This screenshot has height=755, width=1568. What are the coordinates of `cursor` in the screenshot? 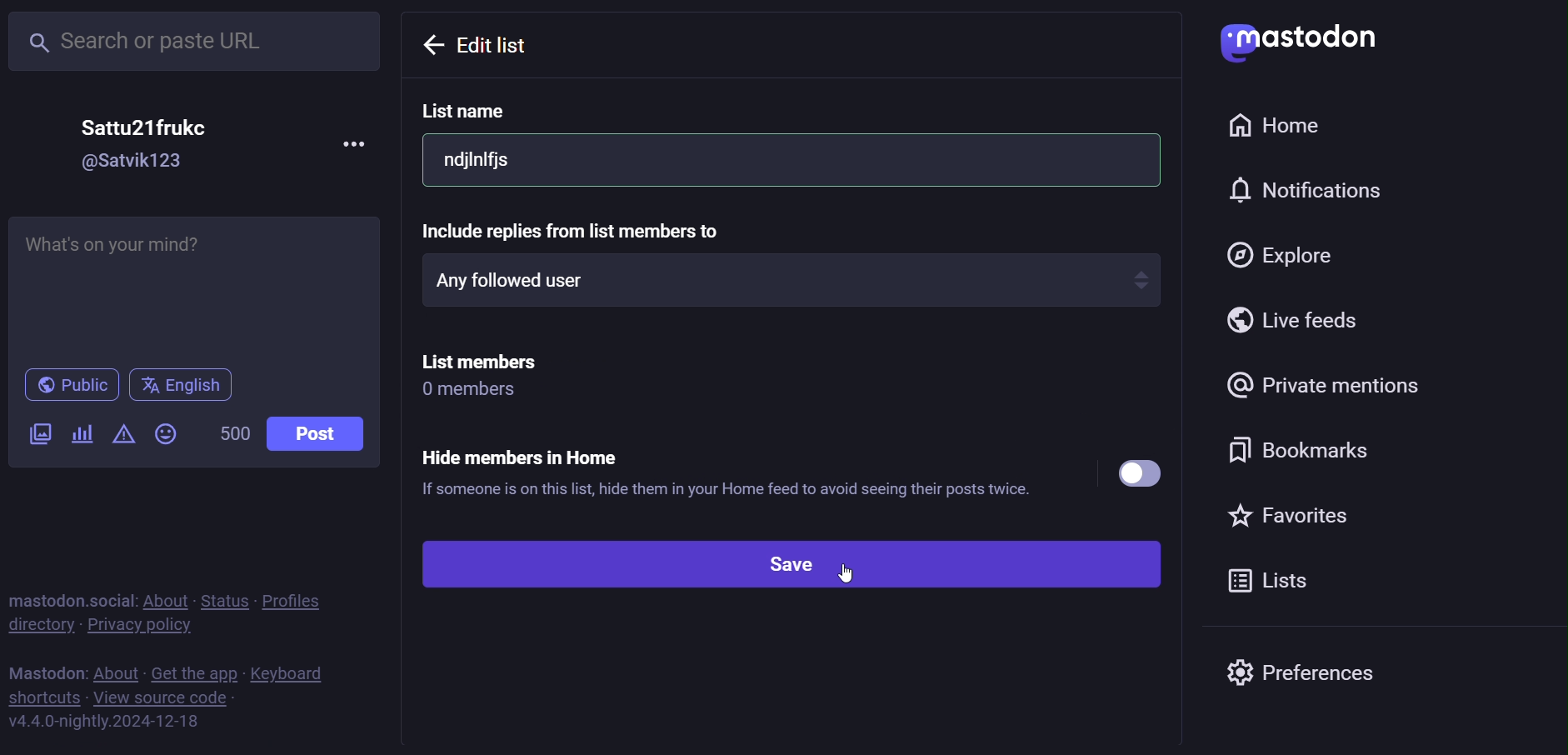 It's located at (850, 575).